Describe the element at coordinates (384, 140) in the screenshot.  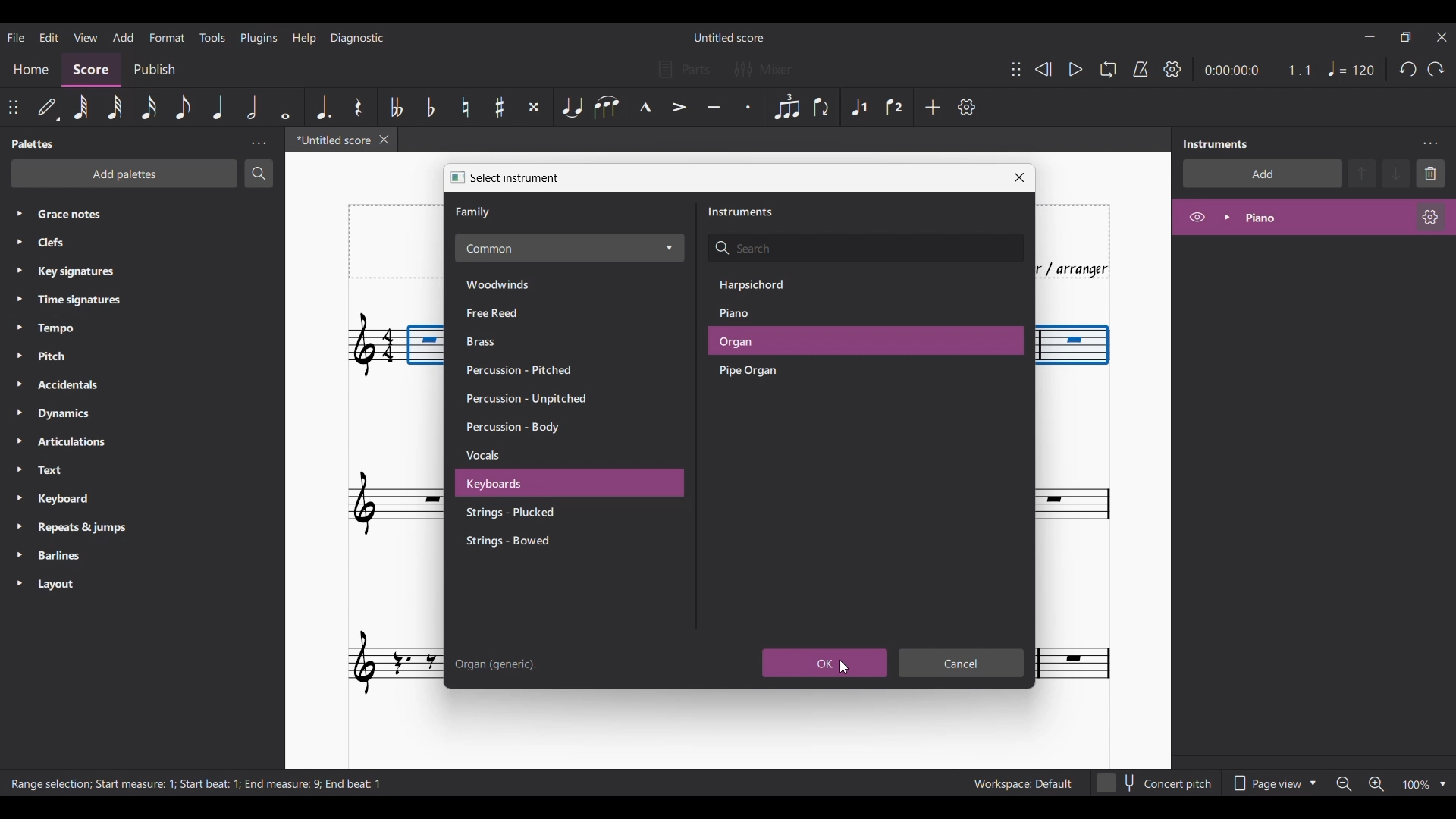
I see `Close current score tab` at that location.